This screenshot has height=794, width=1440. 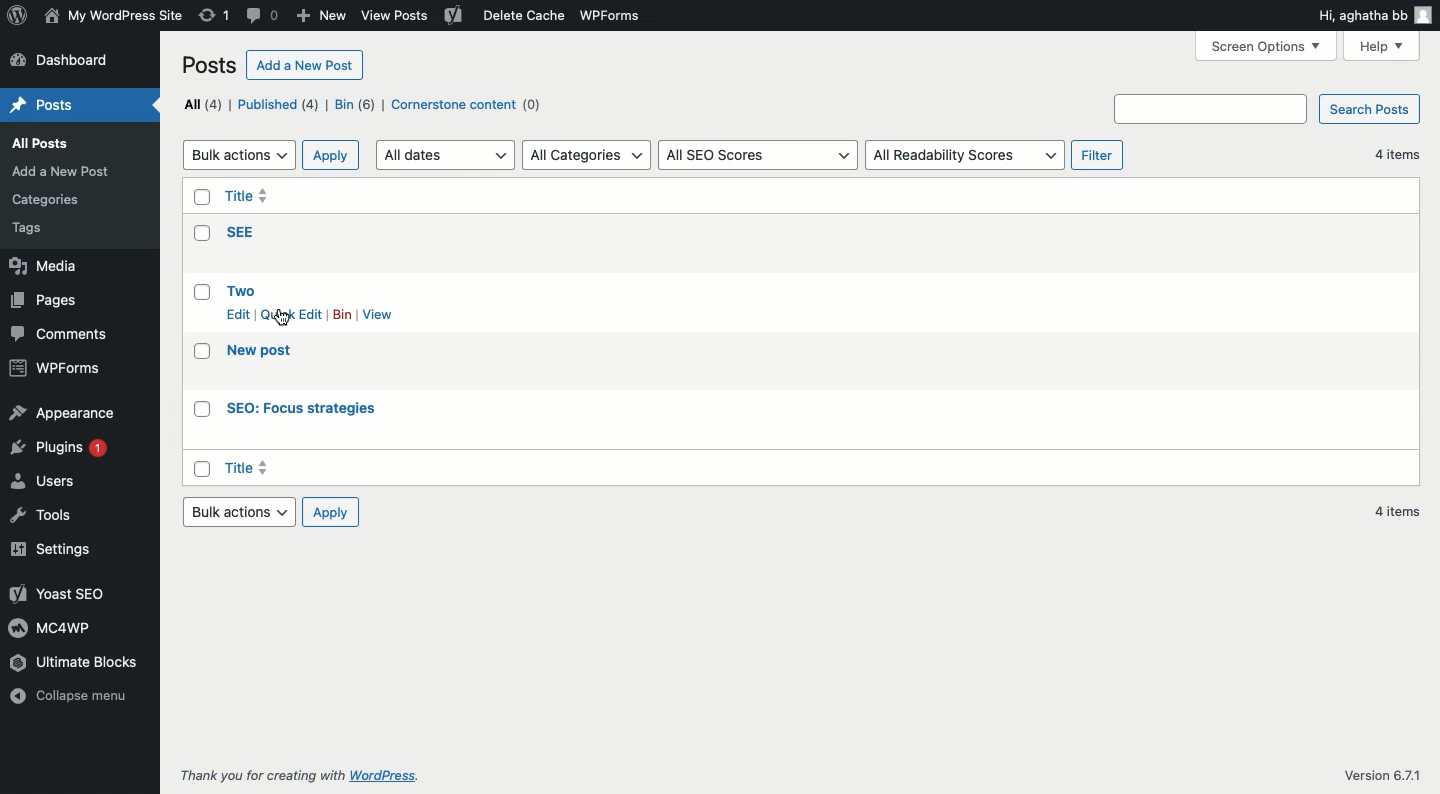 What do you see at coordinates (264, 14) in the screenshot?
I see `Comment` at bounding box center [264, 14].